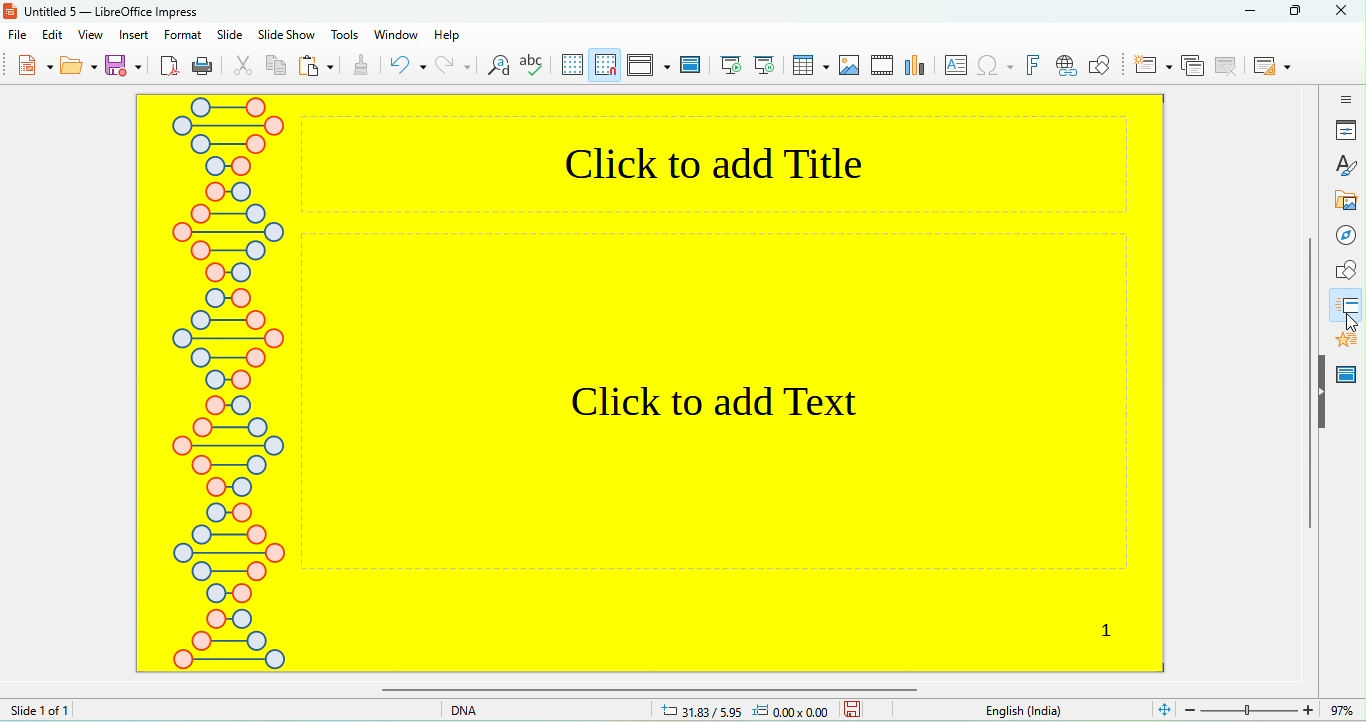  Describe the element at coordinates (461, 37) in the screenshot. I see `help` at that location.